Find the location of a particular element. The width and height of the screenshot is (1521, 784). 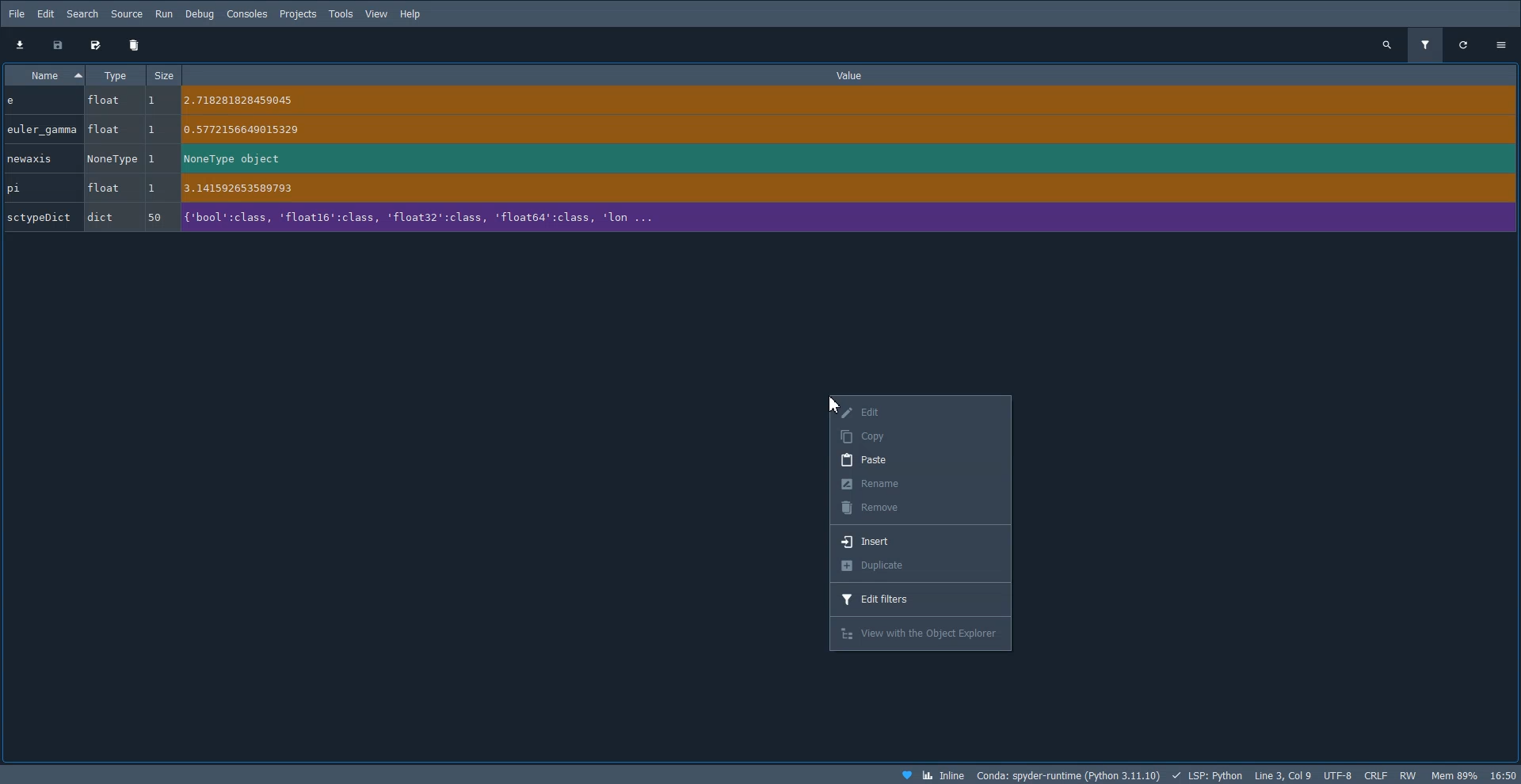

Save data as is located at coordinates (96, 45).